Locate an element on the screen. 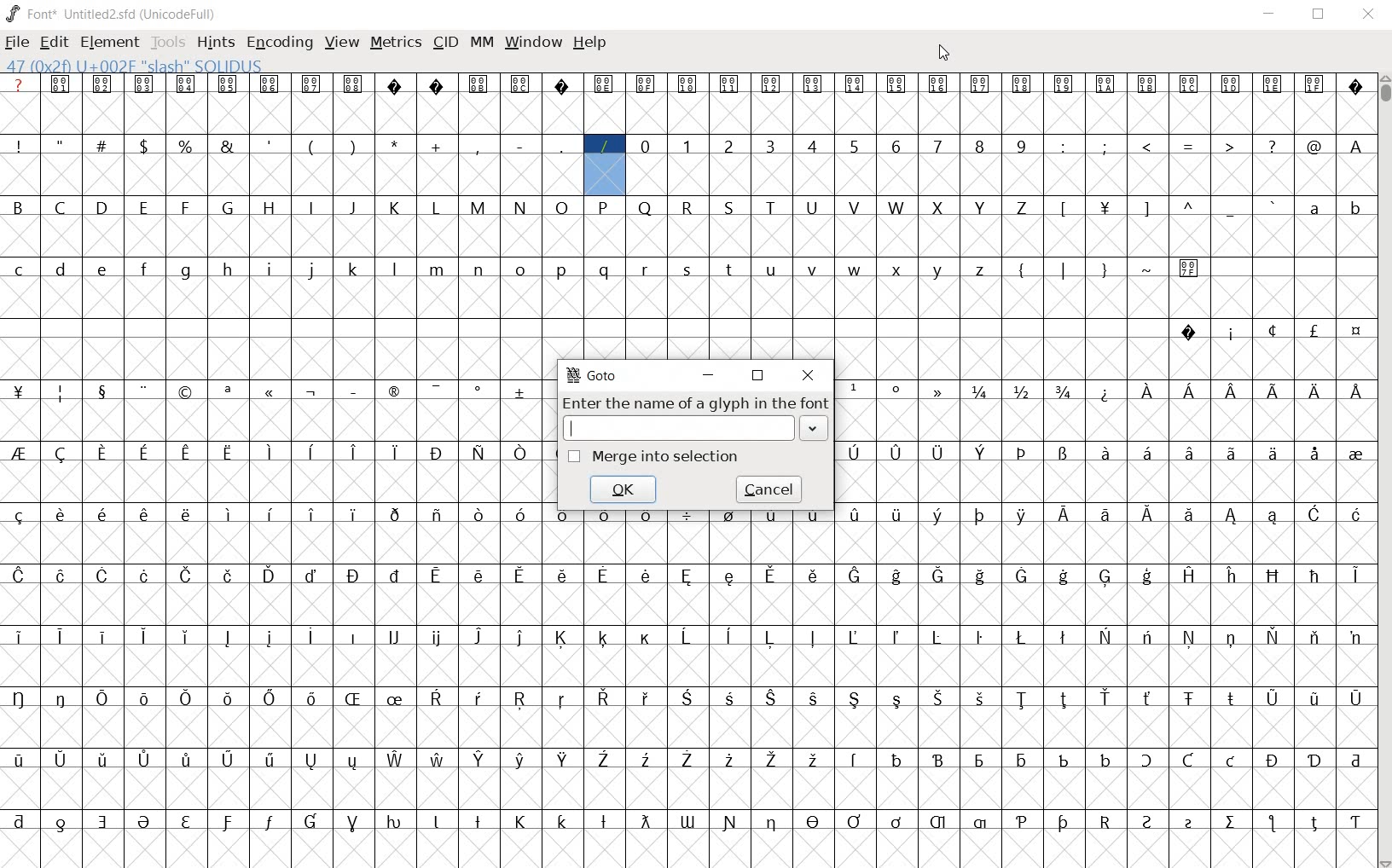  glyph is located at coordinates (520, 699).